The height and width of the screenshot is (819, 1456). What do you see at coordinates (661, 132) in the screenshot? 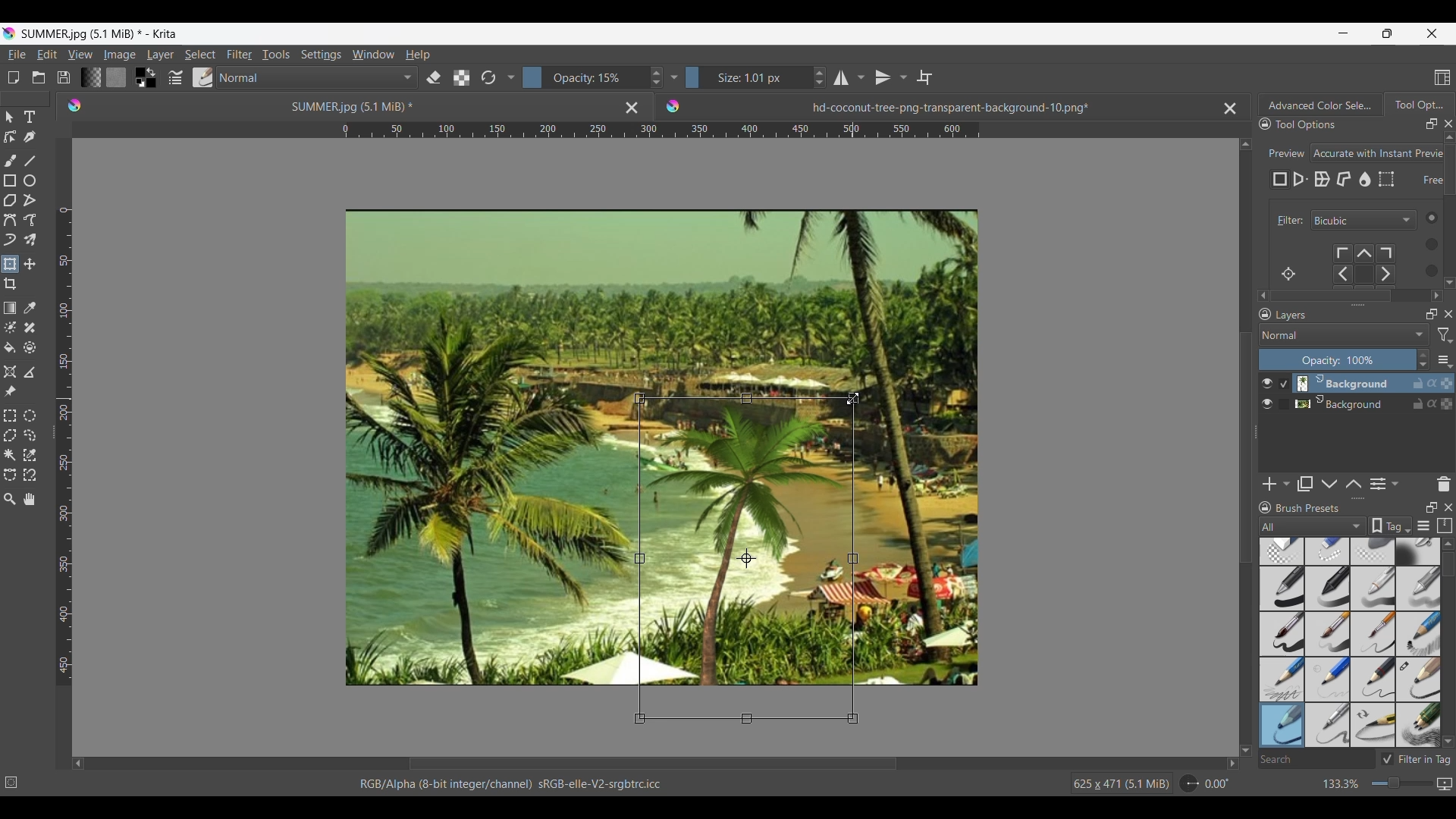
I see `Horizontal ruler` at bounding box center [661, 132].